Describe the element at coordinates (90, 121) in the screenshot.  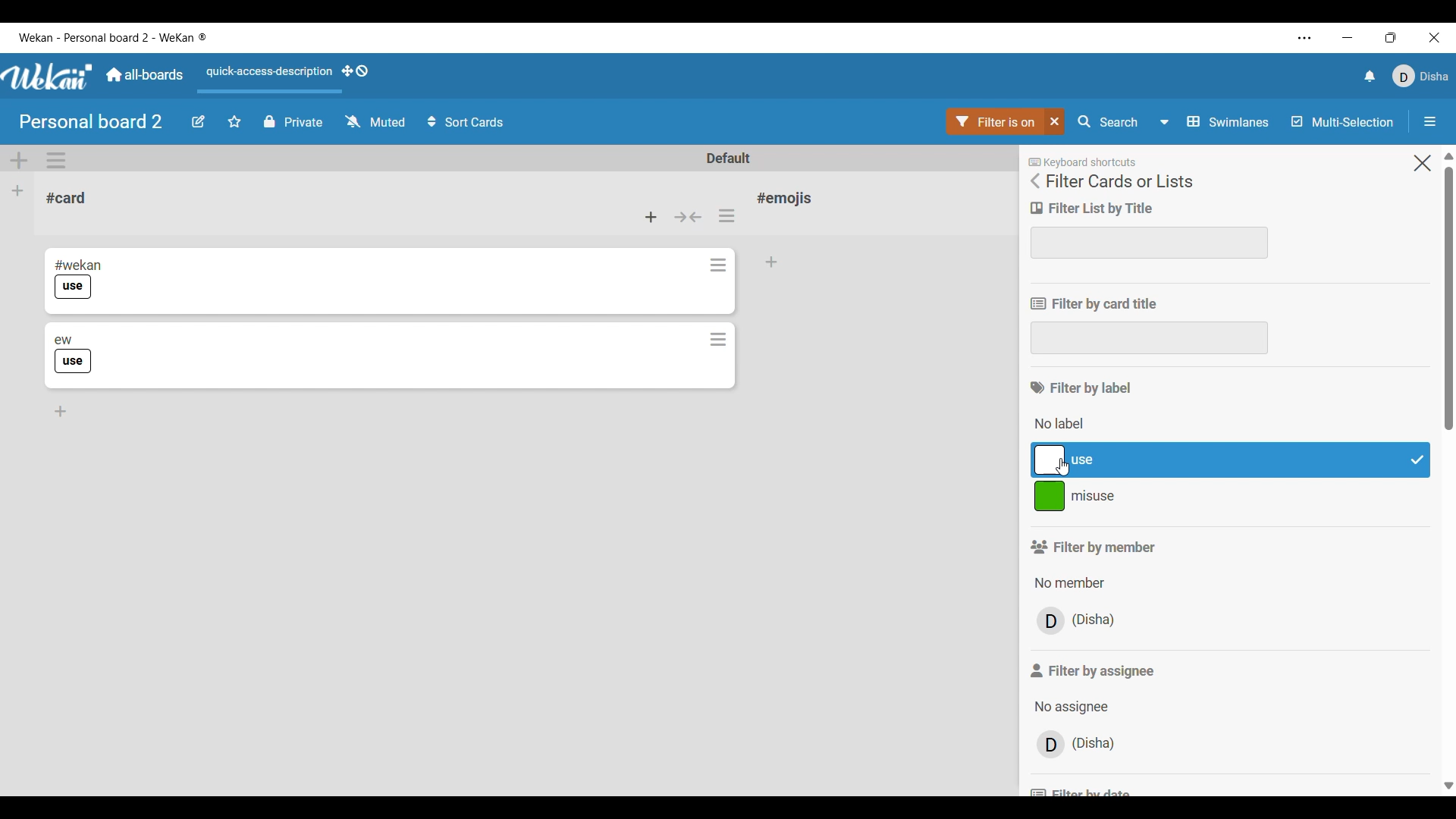
I see `Board name` at that location.